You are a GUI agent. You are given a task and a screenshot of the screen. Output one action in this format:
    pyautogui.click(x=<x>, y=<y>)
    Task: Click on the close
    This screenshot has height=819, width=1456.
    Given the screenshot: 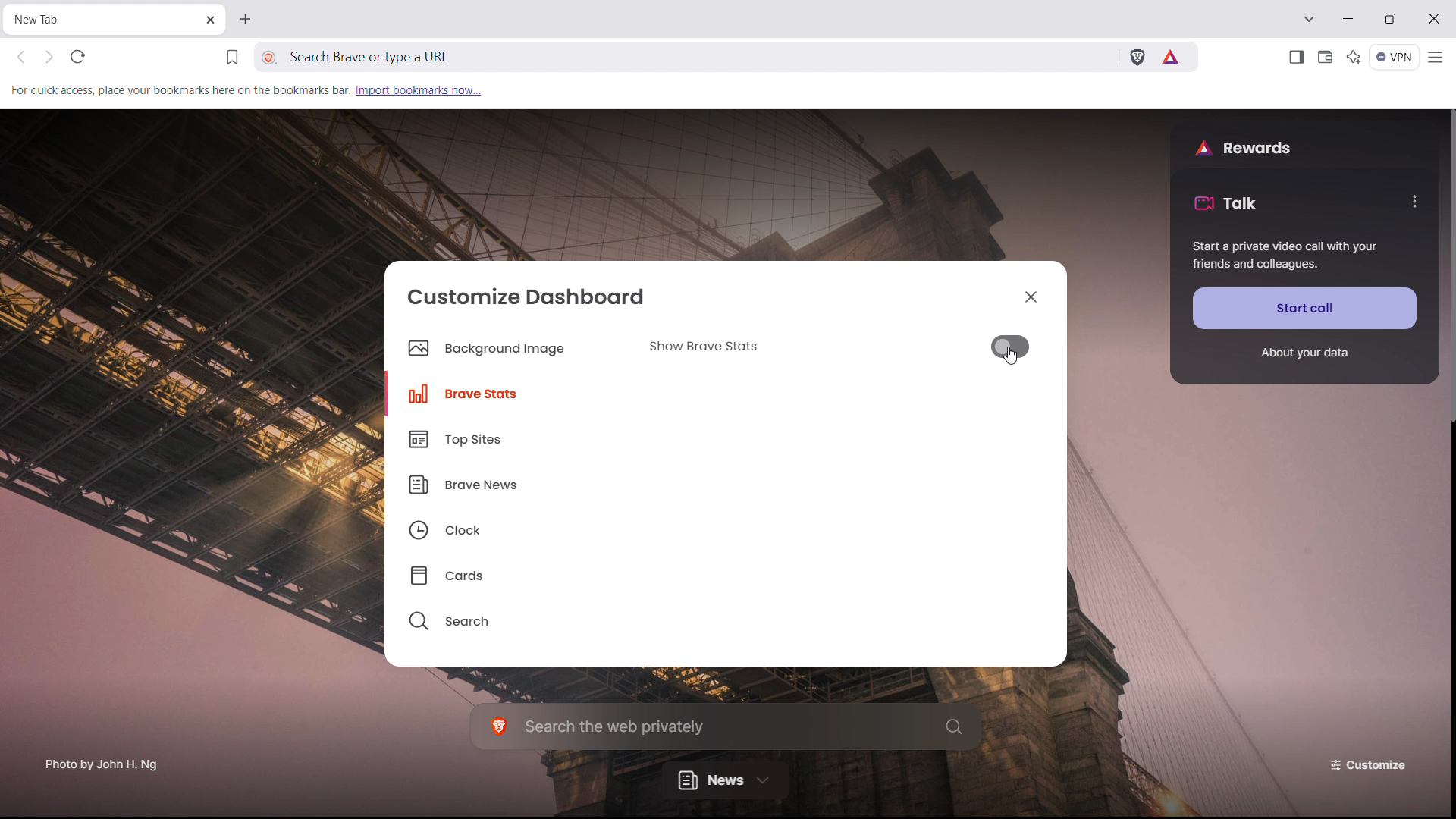 What is the action you would take?
    pyautogui.click(x=1031, y=296)
    